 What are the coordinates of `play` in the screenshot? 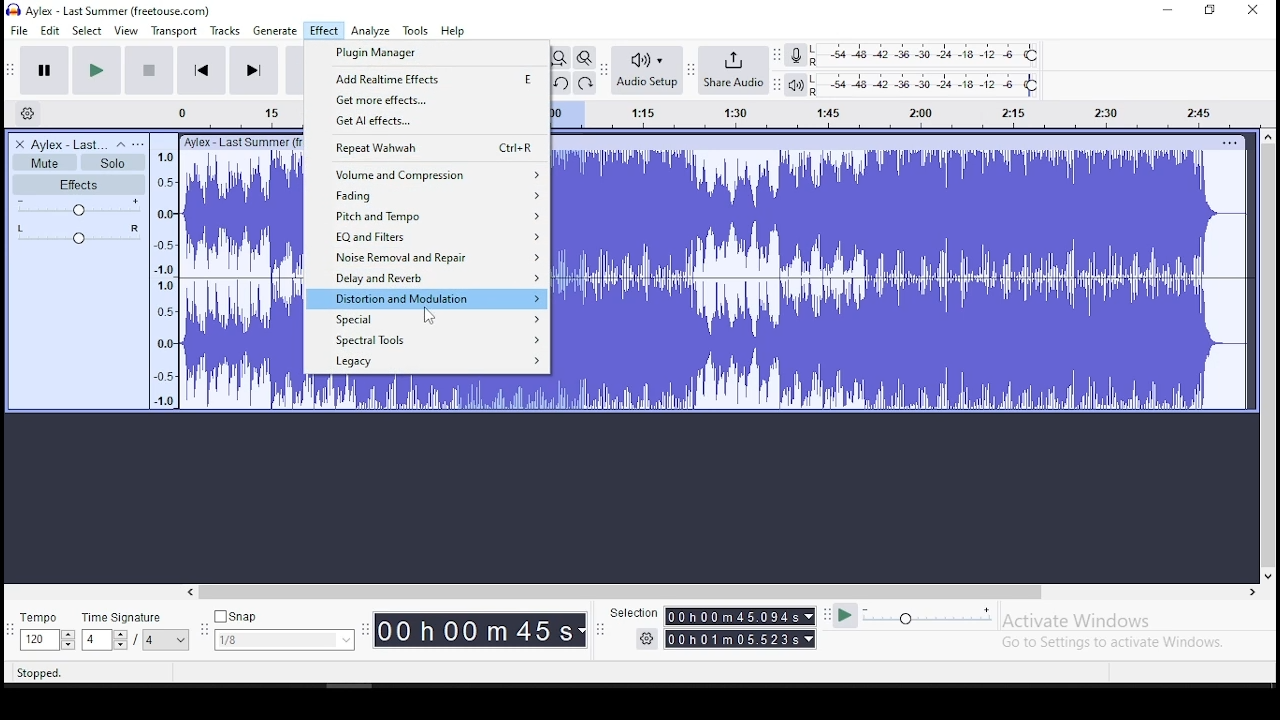 It's located at (97, 69).